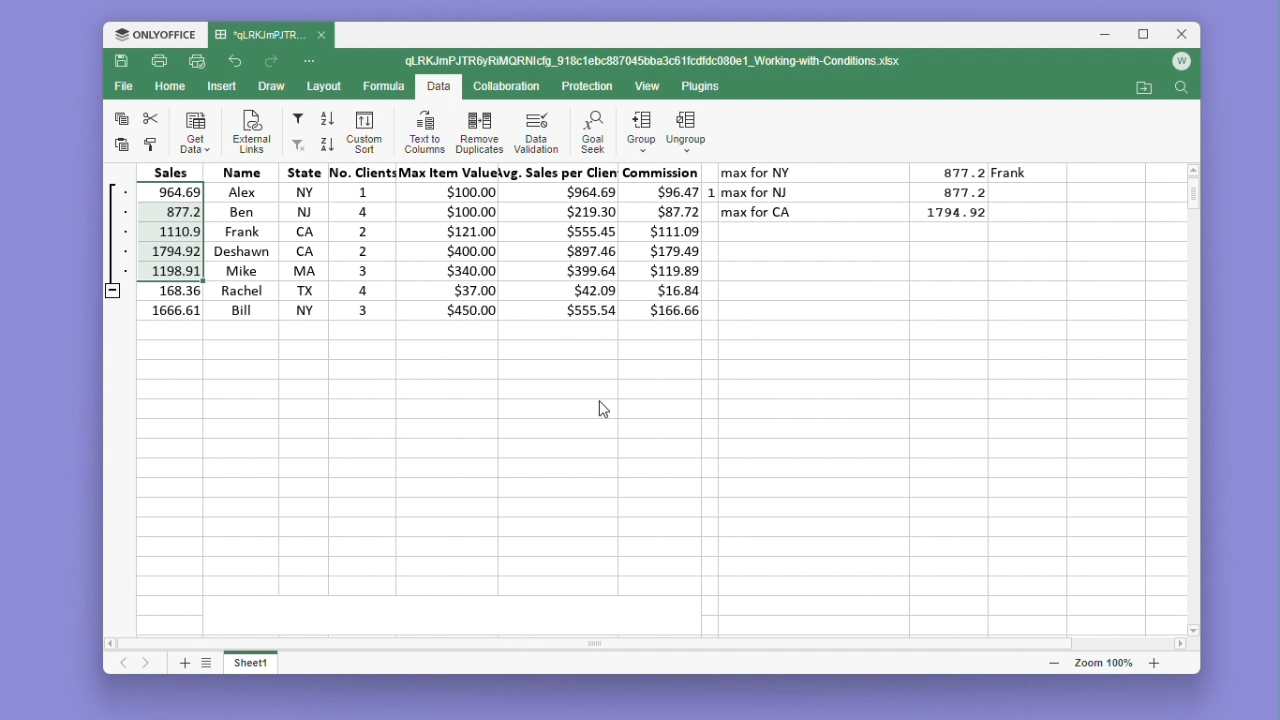  Describe the element at coordinates (1181, 89) in the screenshot. I see `Search` at that location.